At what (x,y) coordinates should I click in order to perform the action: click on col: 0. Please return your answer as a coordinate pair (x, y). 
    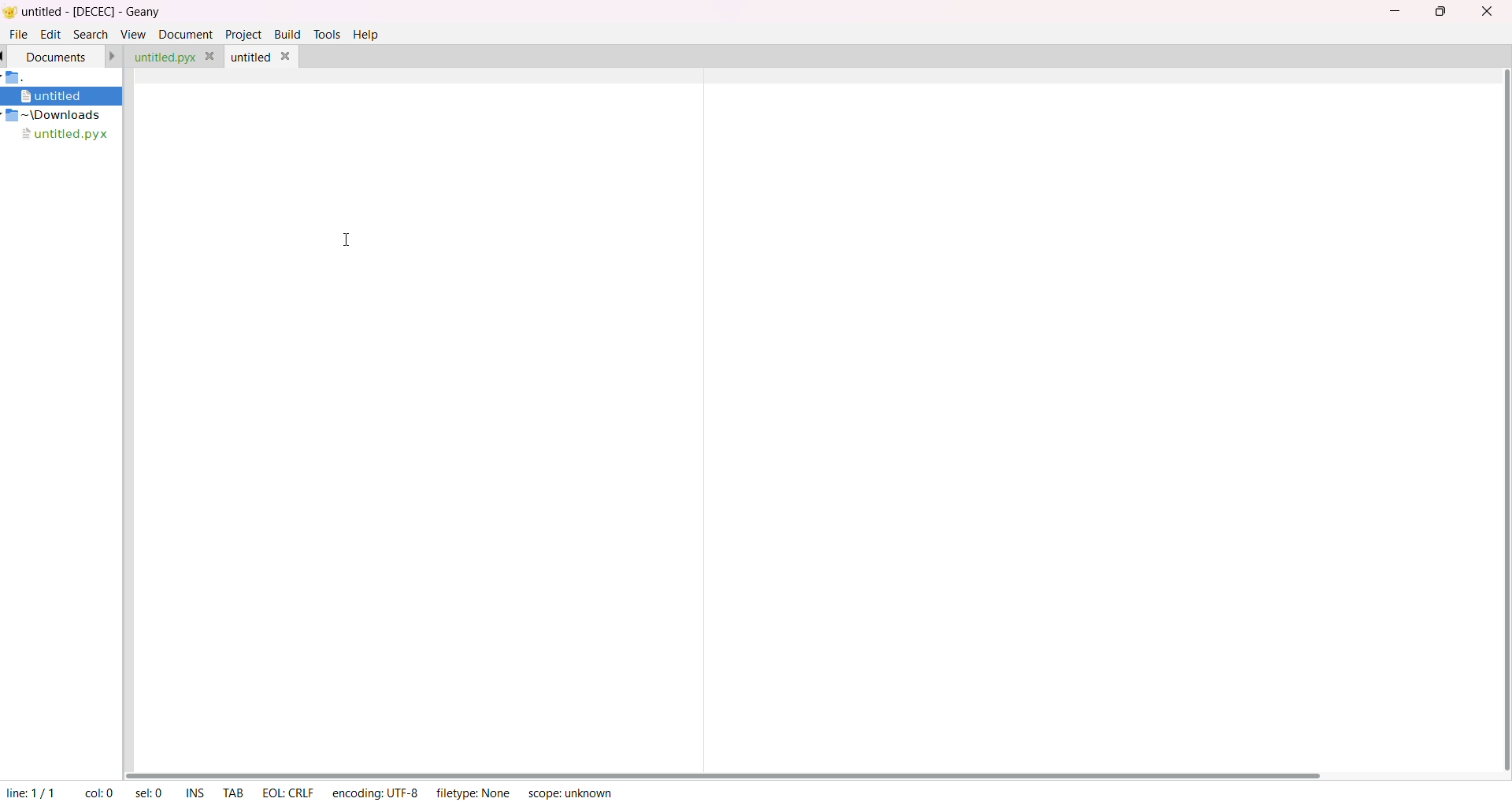
    Looking at the image, I should click on (96, 792).